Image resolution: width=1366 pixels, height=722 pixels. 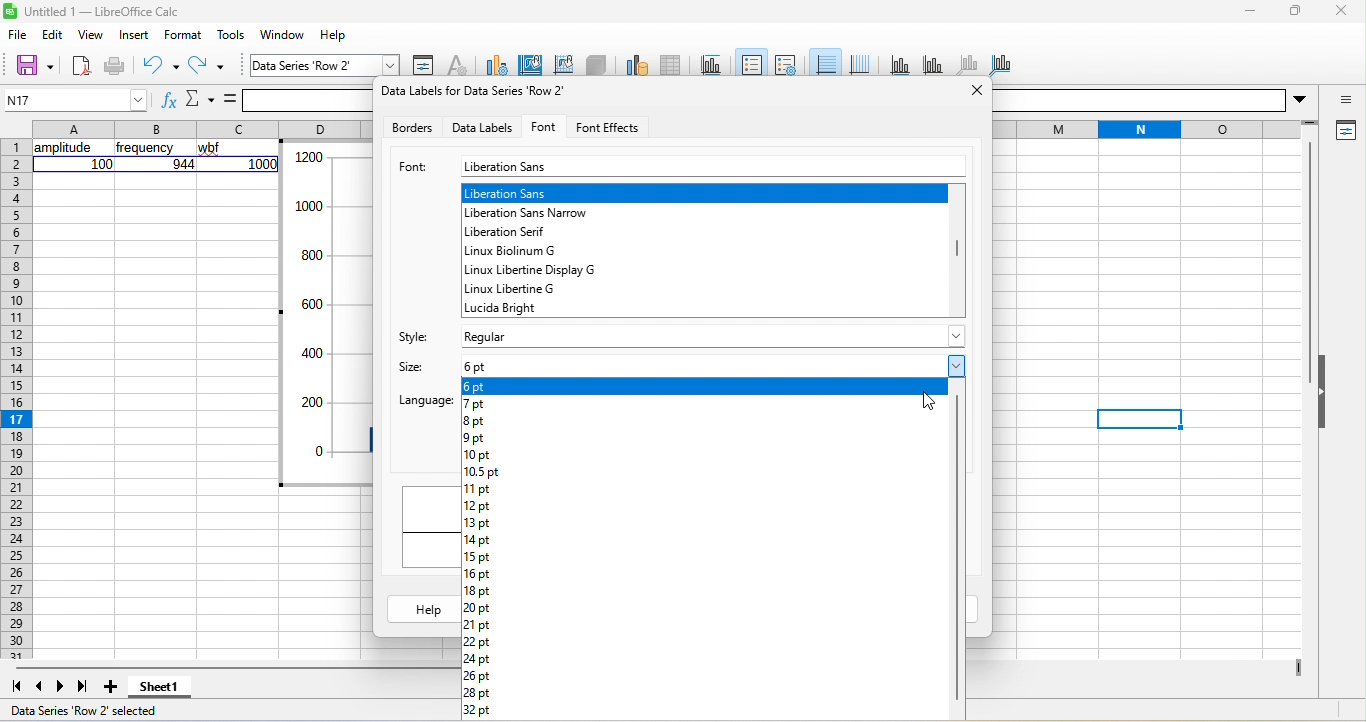 What do you see at coordinates (161, 65) in the screenshot?
I see `undo` at bounding box center [161, 65].